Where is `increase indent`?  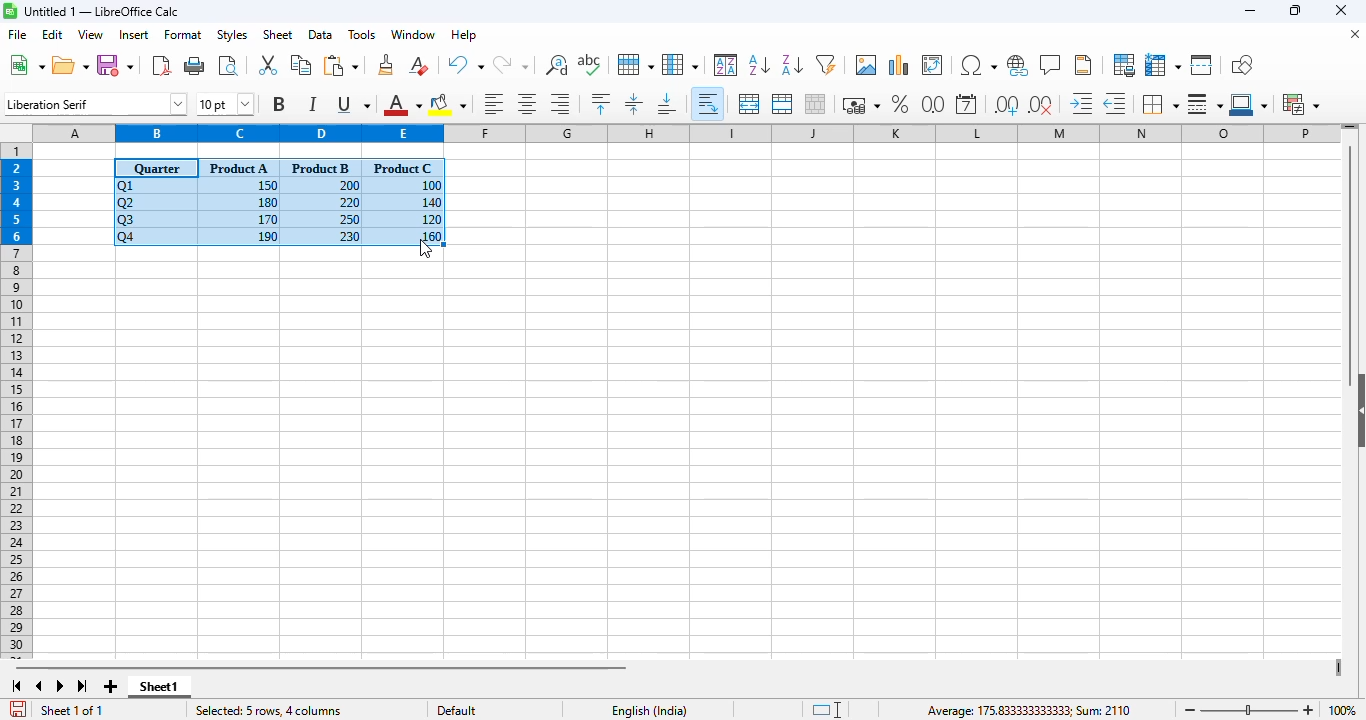
increase indent is located at coordinates (1082, 103).